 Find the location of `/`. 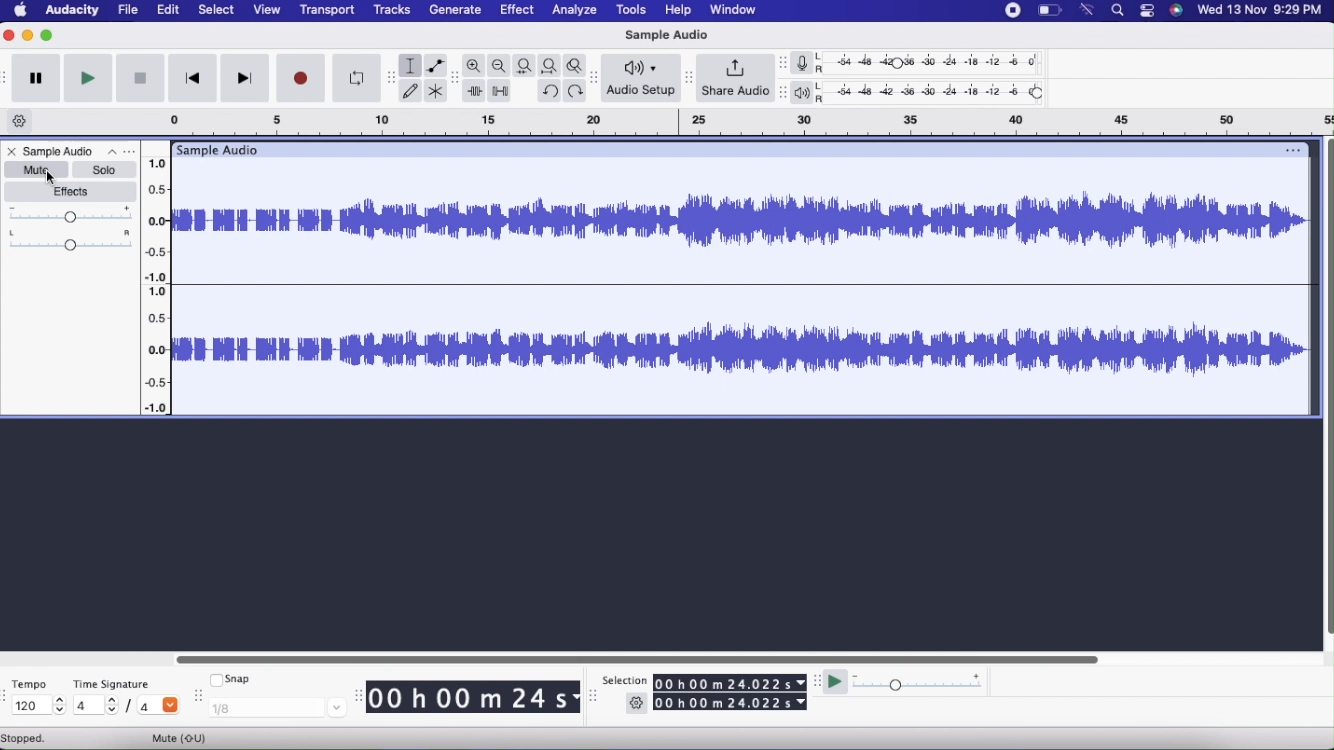

/ is located at coordinates (131, 706).